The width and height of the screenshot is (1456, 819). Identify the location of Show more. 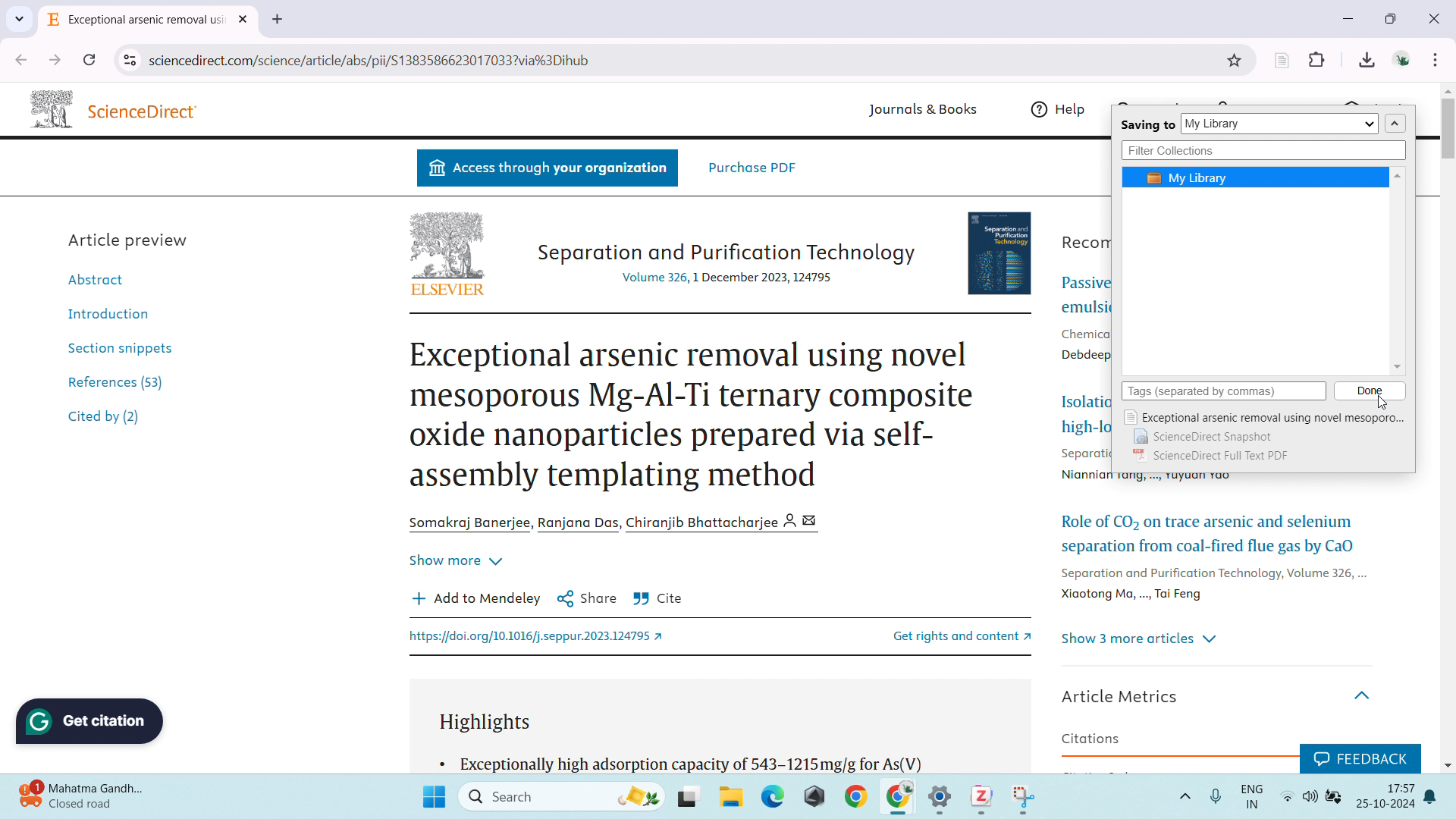
(455, 557).